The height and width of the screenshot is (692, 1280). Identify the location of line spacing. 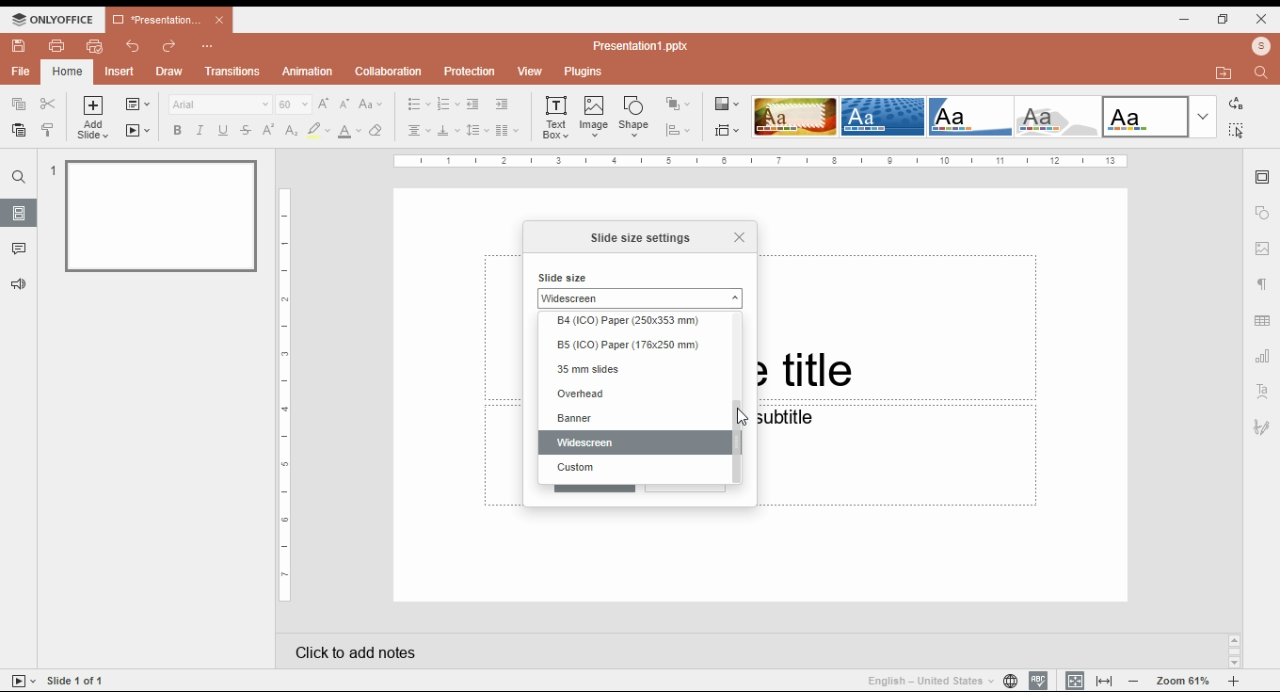
(478, 131).